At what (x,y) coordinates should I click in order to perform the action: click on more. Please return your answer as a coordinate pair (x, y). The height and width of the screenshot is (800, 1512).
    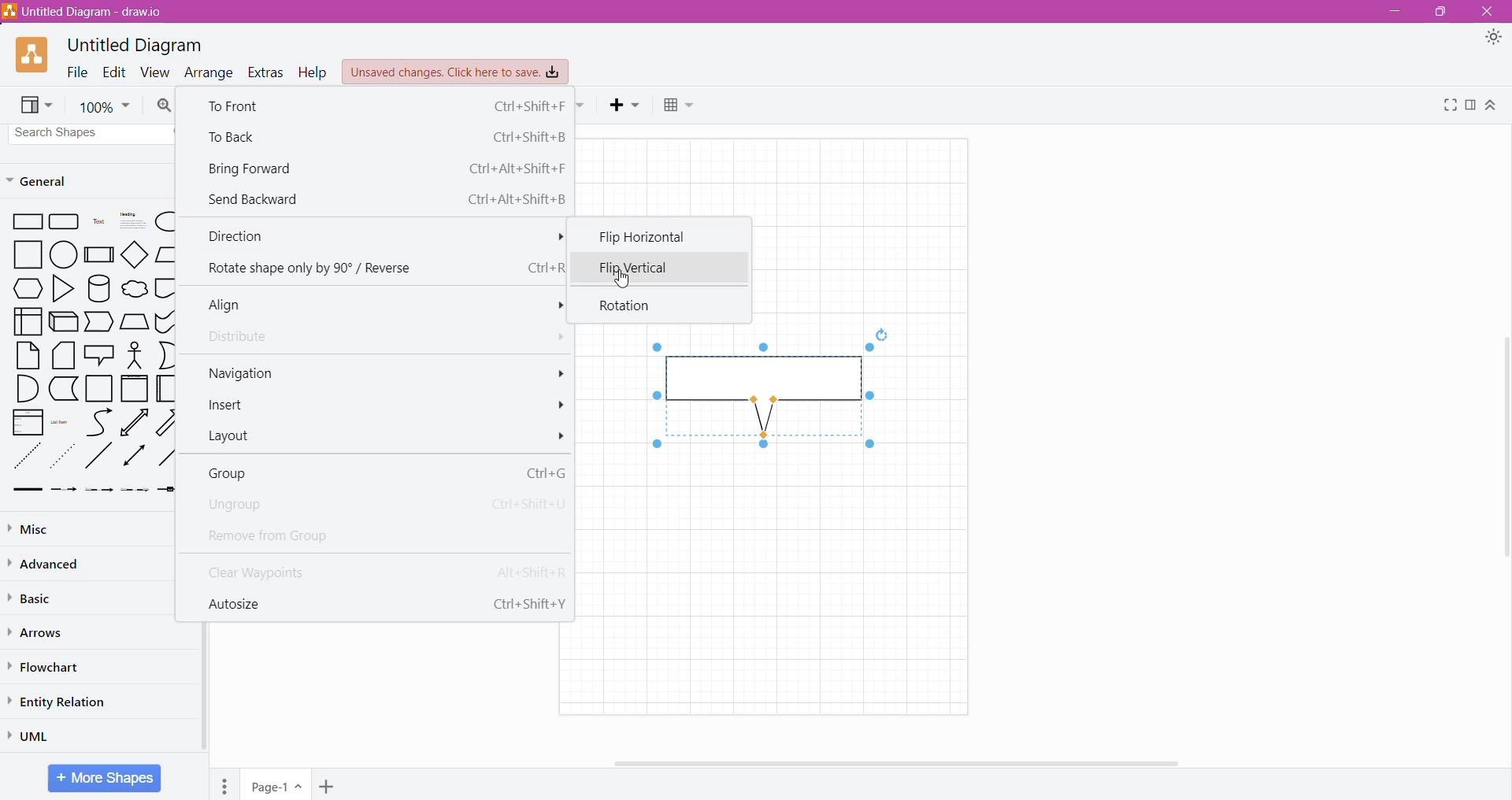
    Looking at the image, I should click on (562, 436).